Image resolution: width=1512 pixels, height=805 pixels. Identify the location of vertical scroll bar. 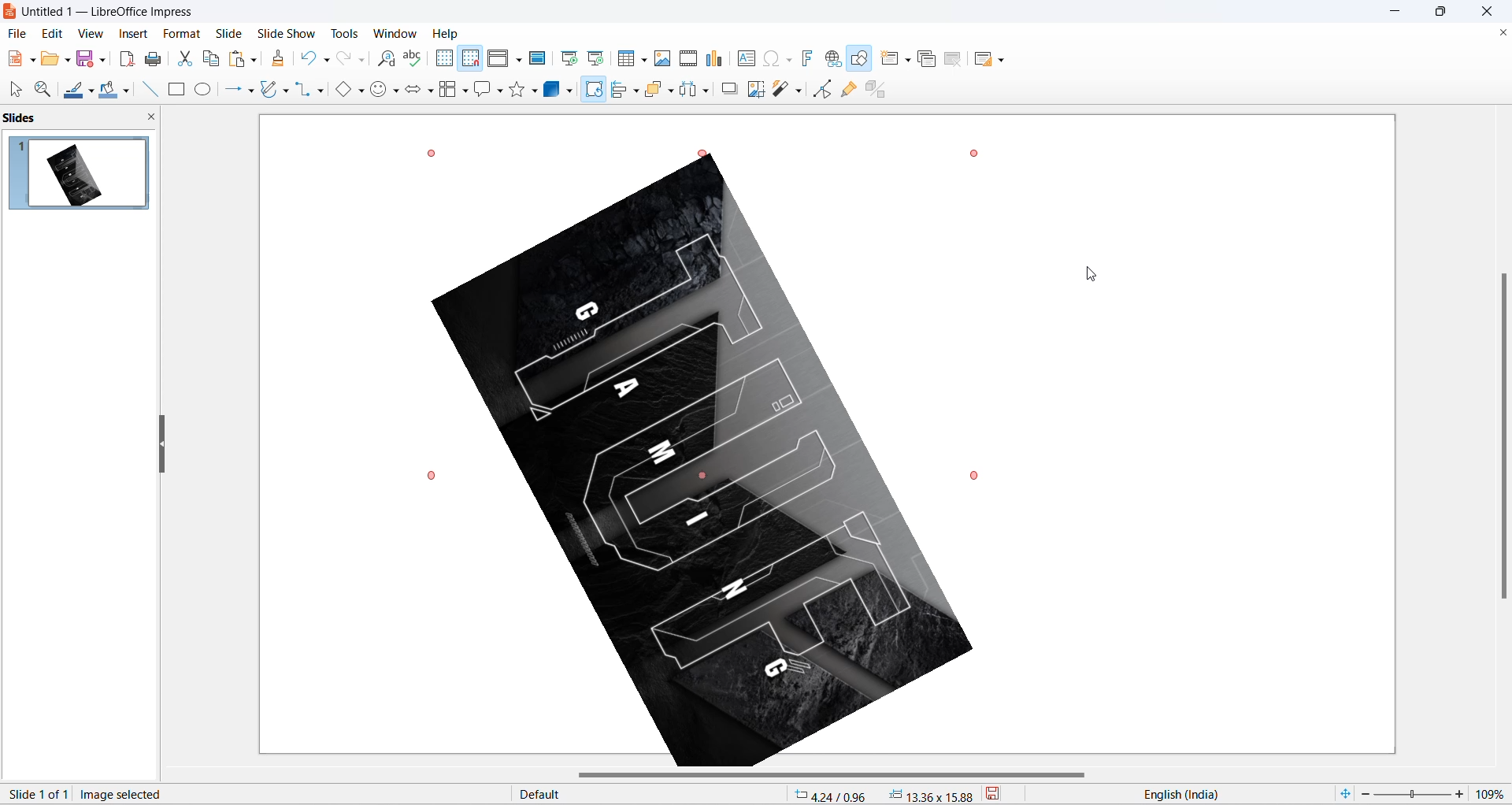
(1503, 434).